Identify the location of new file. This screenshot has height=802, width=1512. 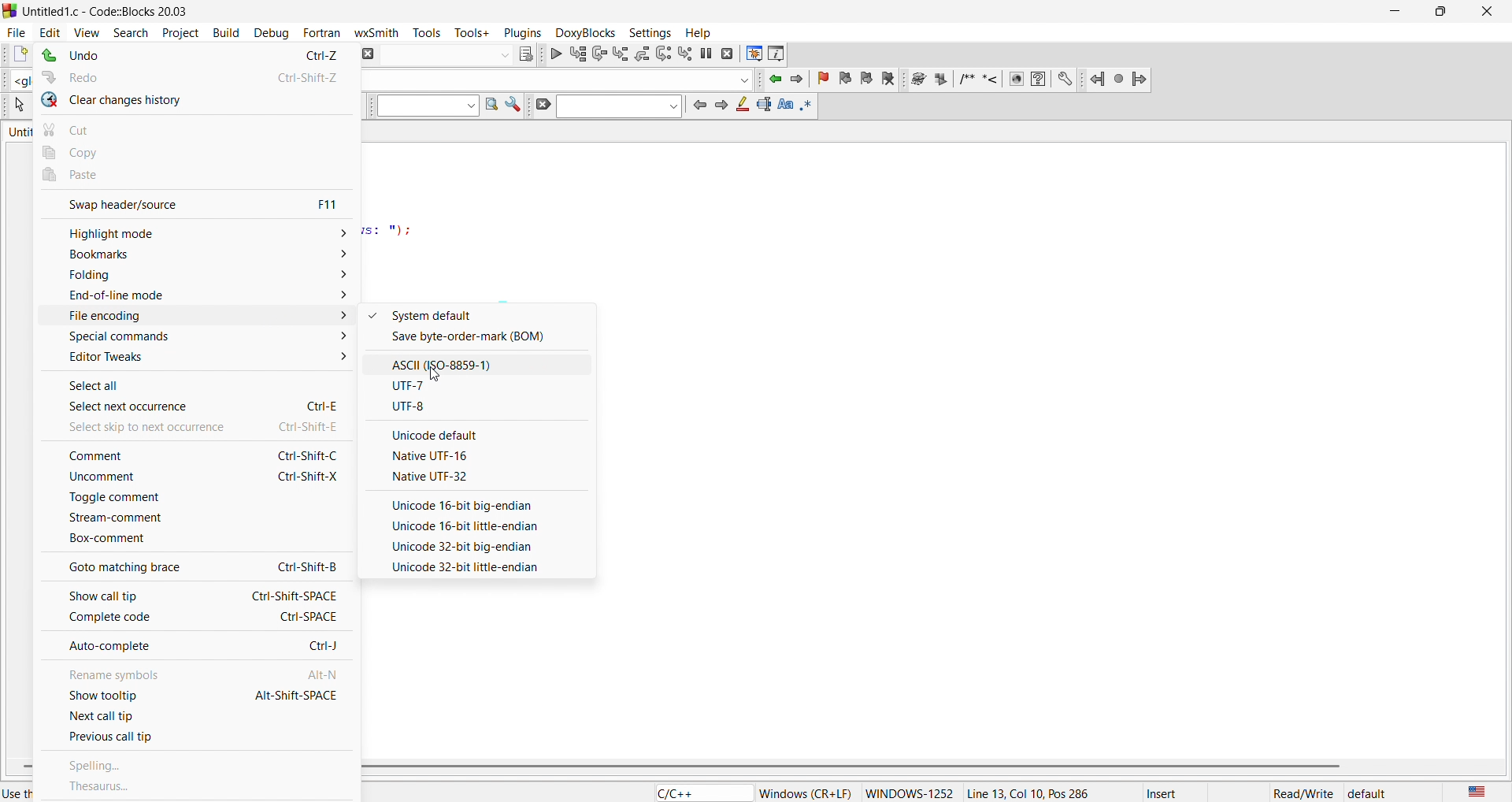
(17, 54).